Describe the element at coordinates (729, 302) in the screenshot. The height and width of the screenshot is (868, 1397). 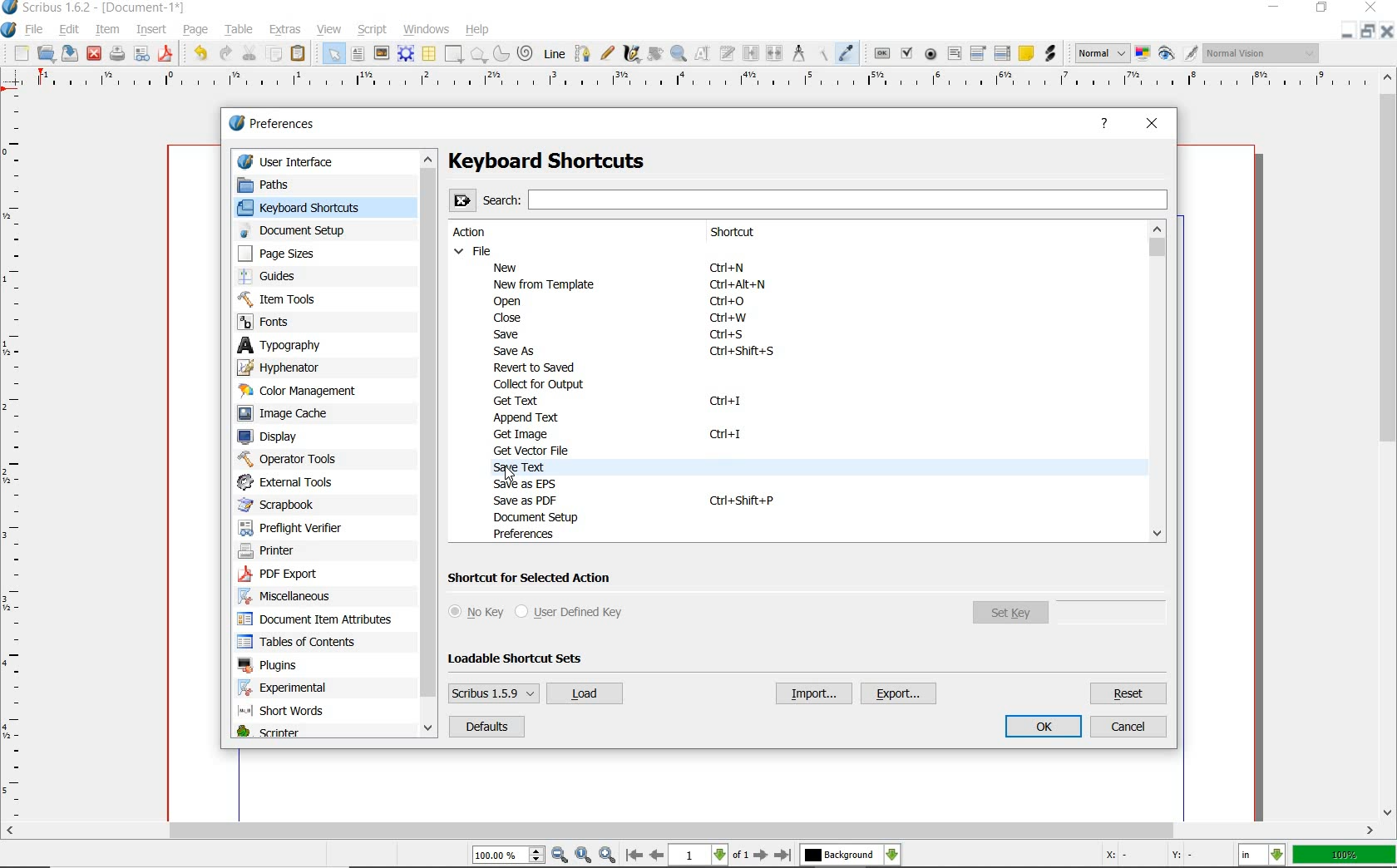
I see `Ctrl + O` at that location.